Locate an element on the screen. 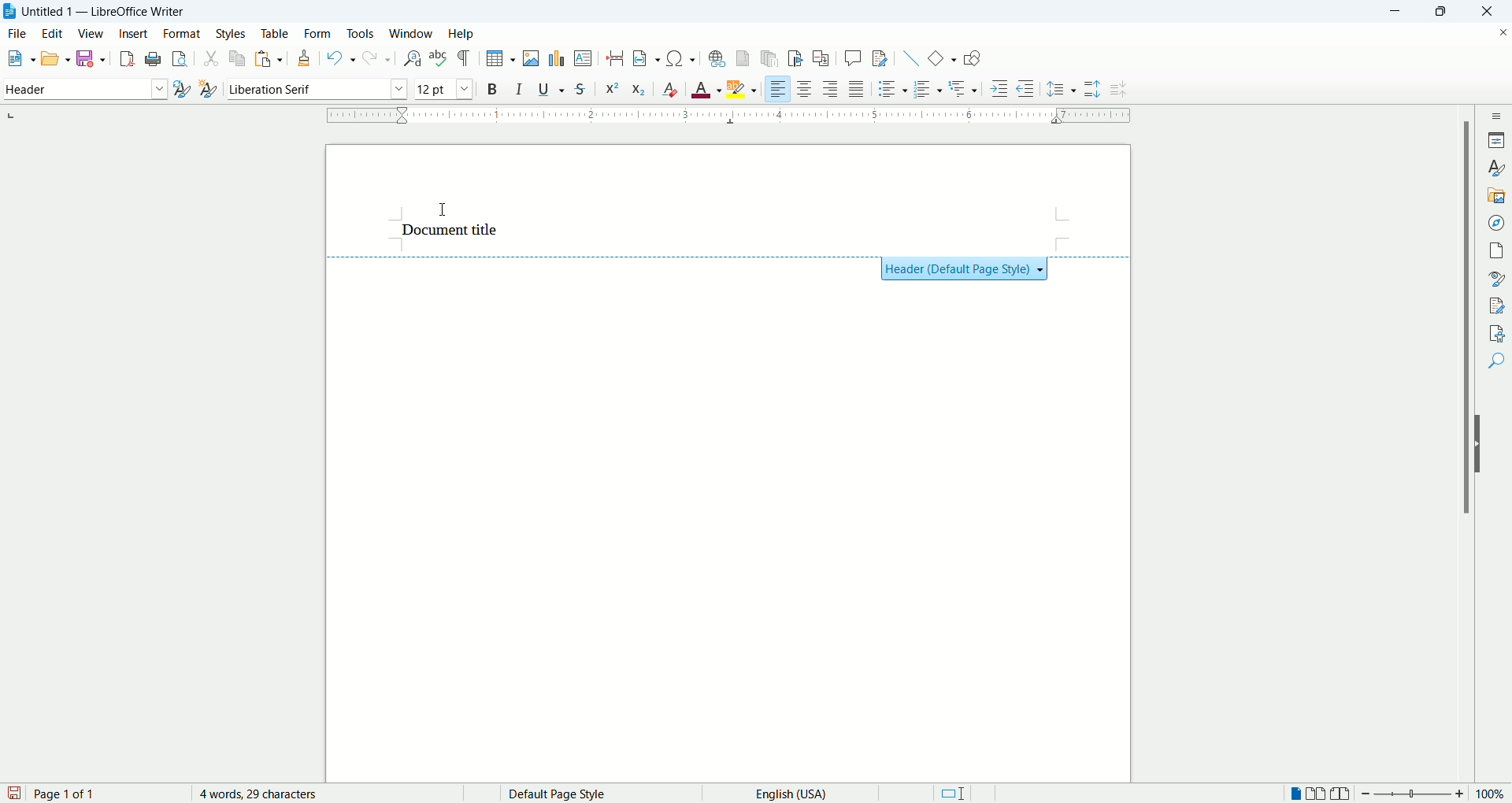 This screenshot has height=803, width=1512. close is located at coordinates (1493, 10).